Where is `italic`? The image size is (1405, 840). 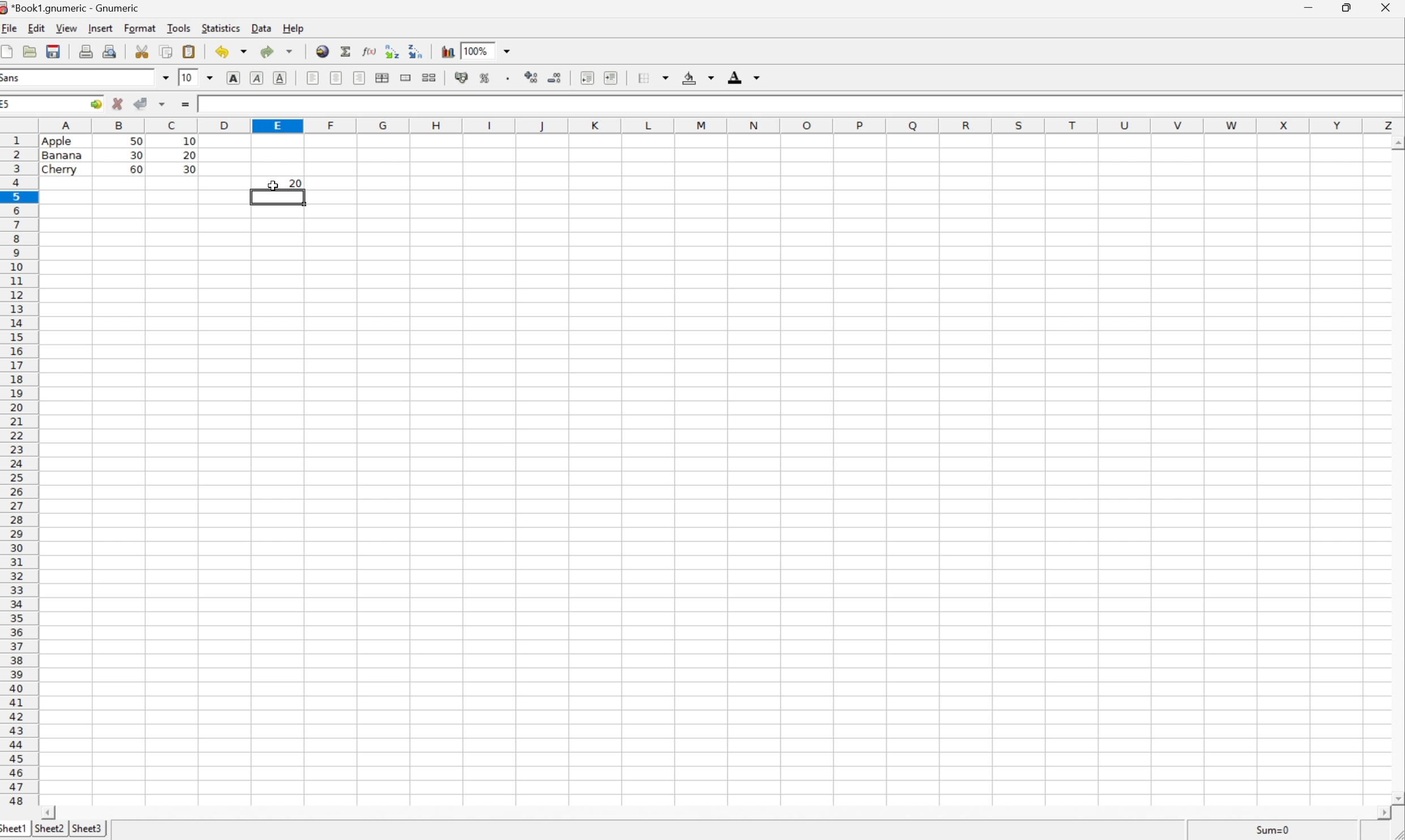
italic is located at coordinates (258, 78).